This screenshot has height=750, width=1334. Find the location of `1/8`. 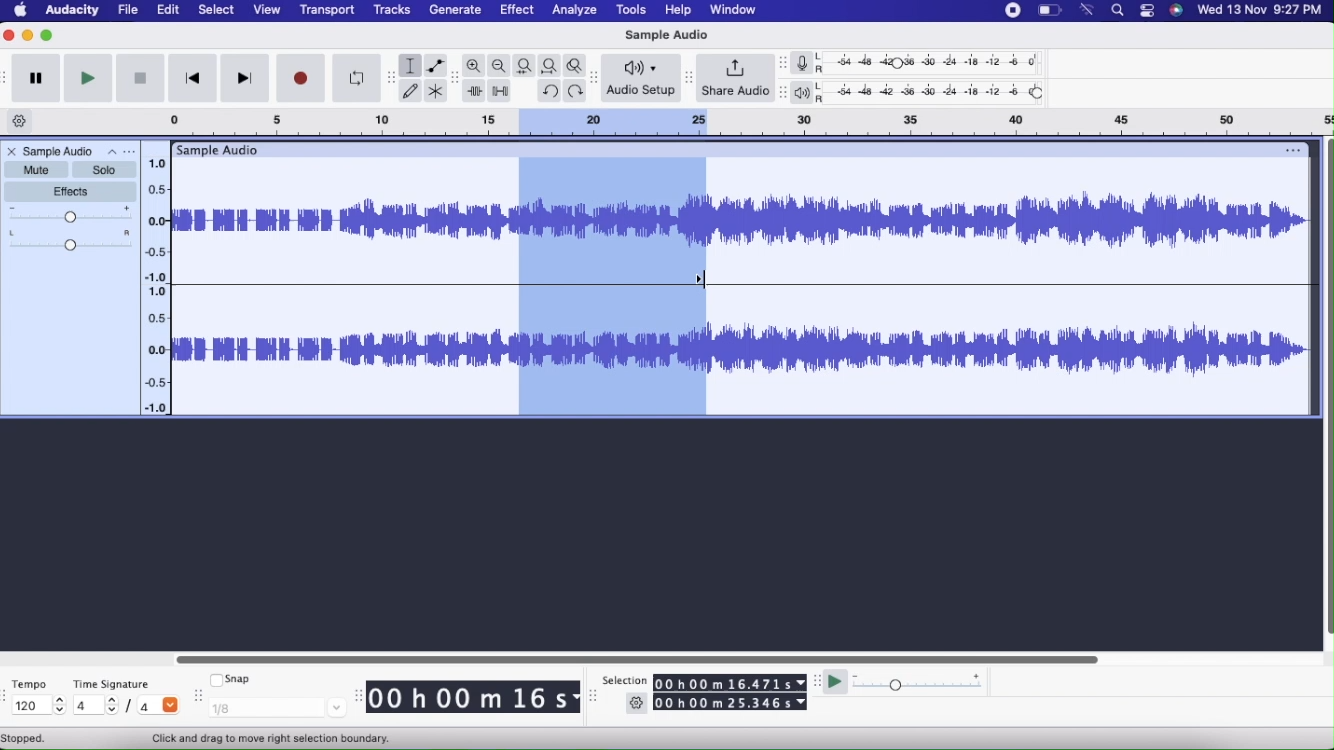

1/8 is located at coordinates (278, 707).